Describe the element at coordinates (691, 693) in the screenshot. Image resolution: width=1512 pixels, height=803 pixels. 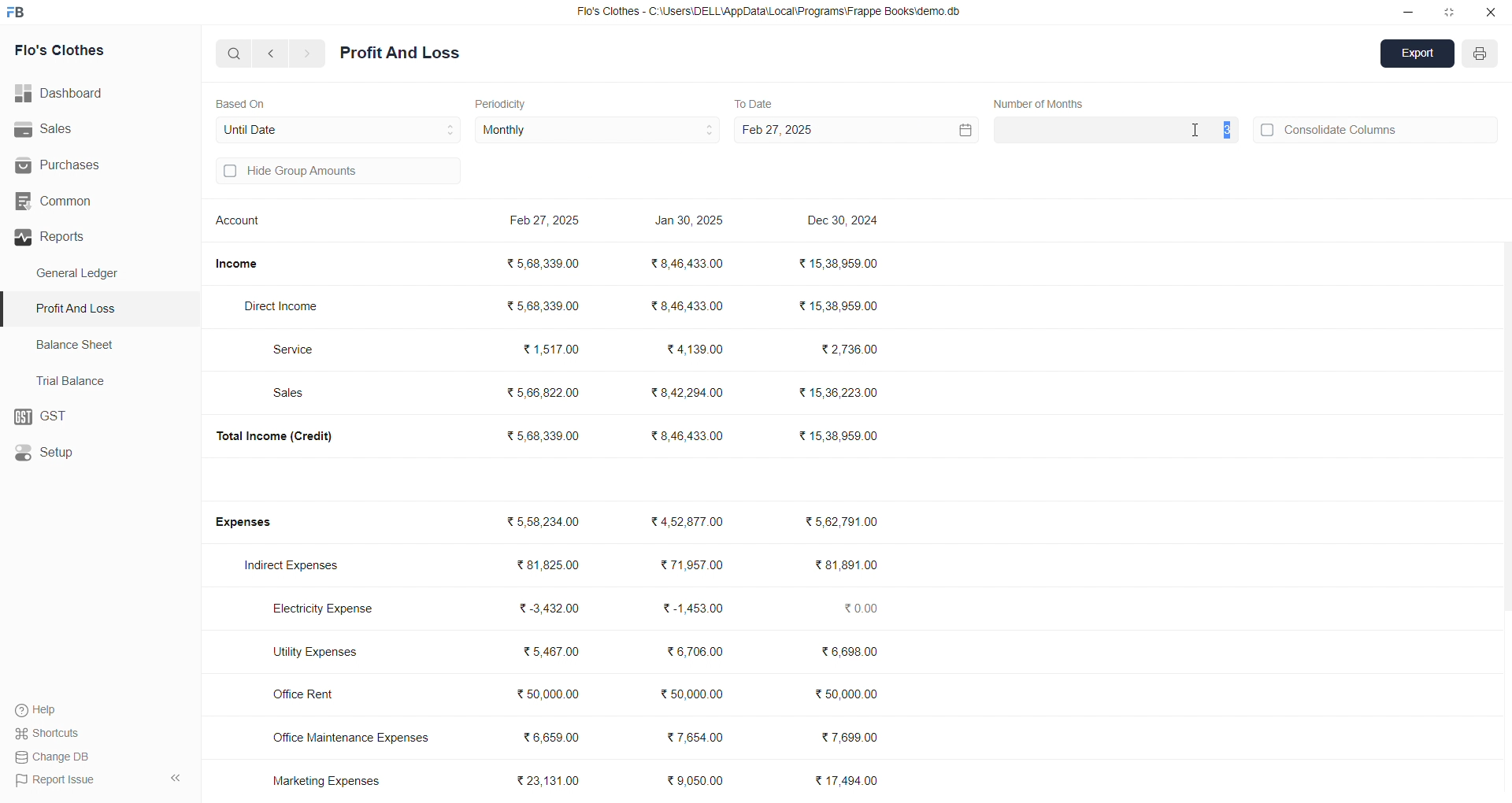
I see `₹50,000.00` at that location.